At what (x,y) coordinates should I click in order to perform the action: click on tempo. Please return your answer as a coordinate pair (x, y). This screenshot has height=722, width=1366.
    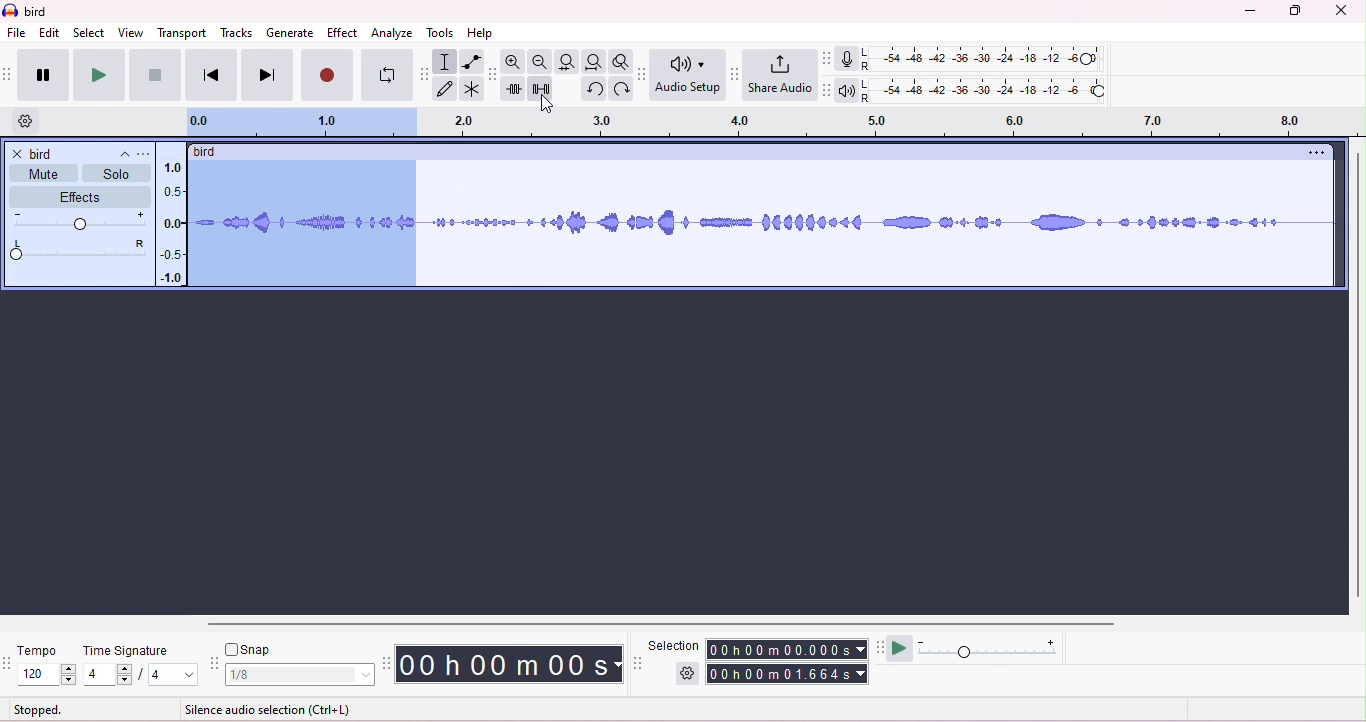
    Looking at the image, I should click on (44, 649).